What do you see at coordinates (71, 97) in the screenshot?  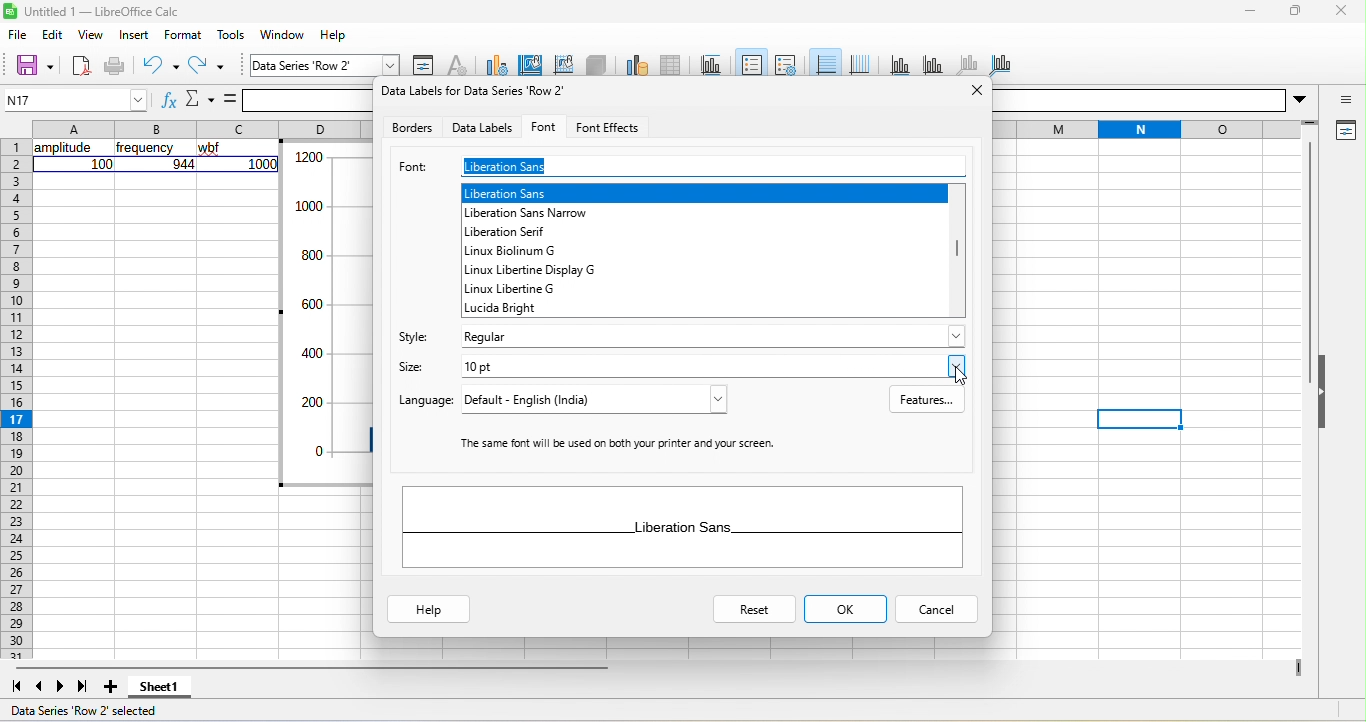 I see `N17` at bounding box center [71, 97].